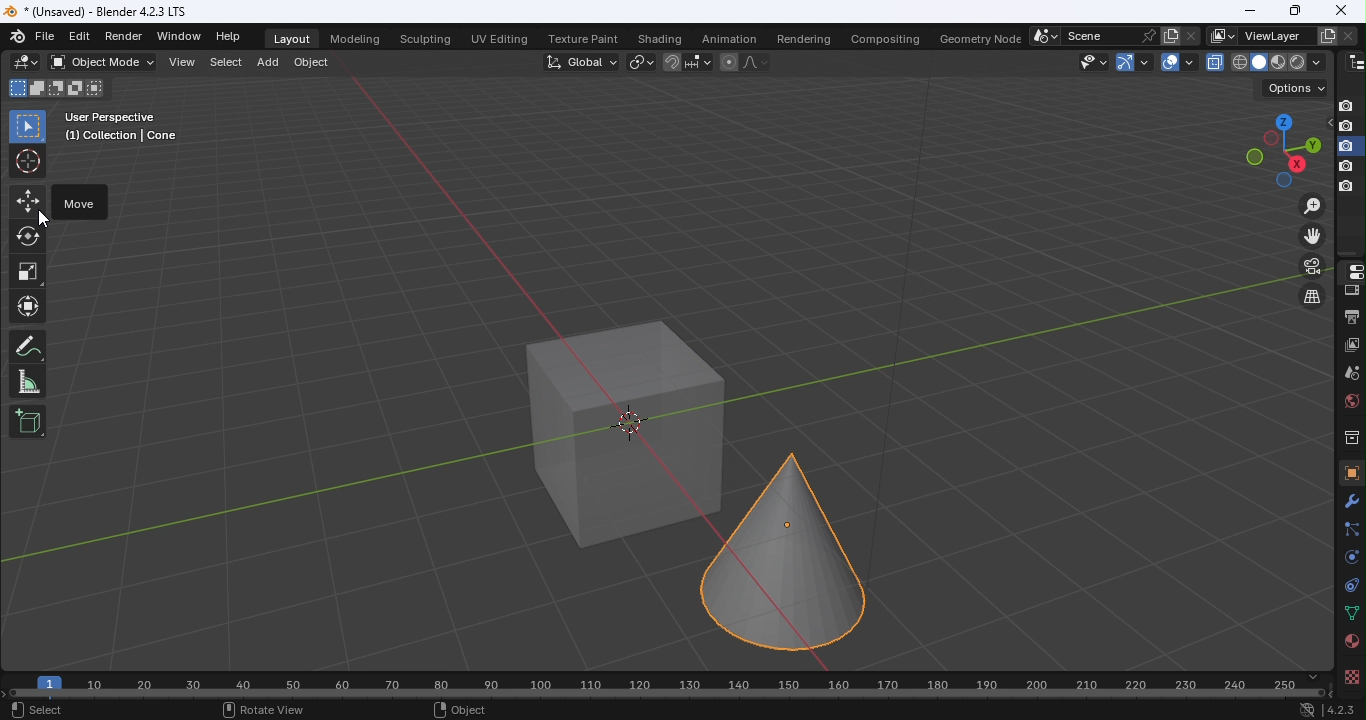  Describe the element at coordinates (671, 61) in the screenshot. I see `Snap` at that location.